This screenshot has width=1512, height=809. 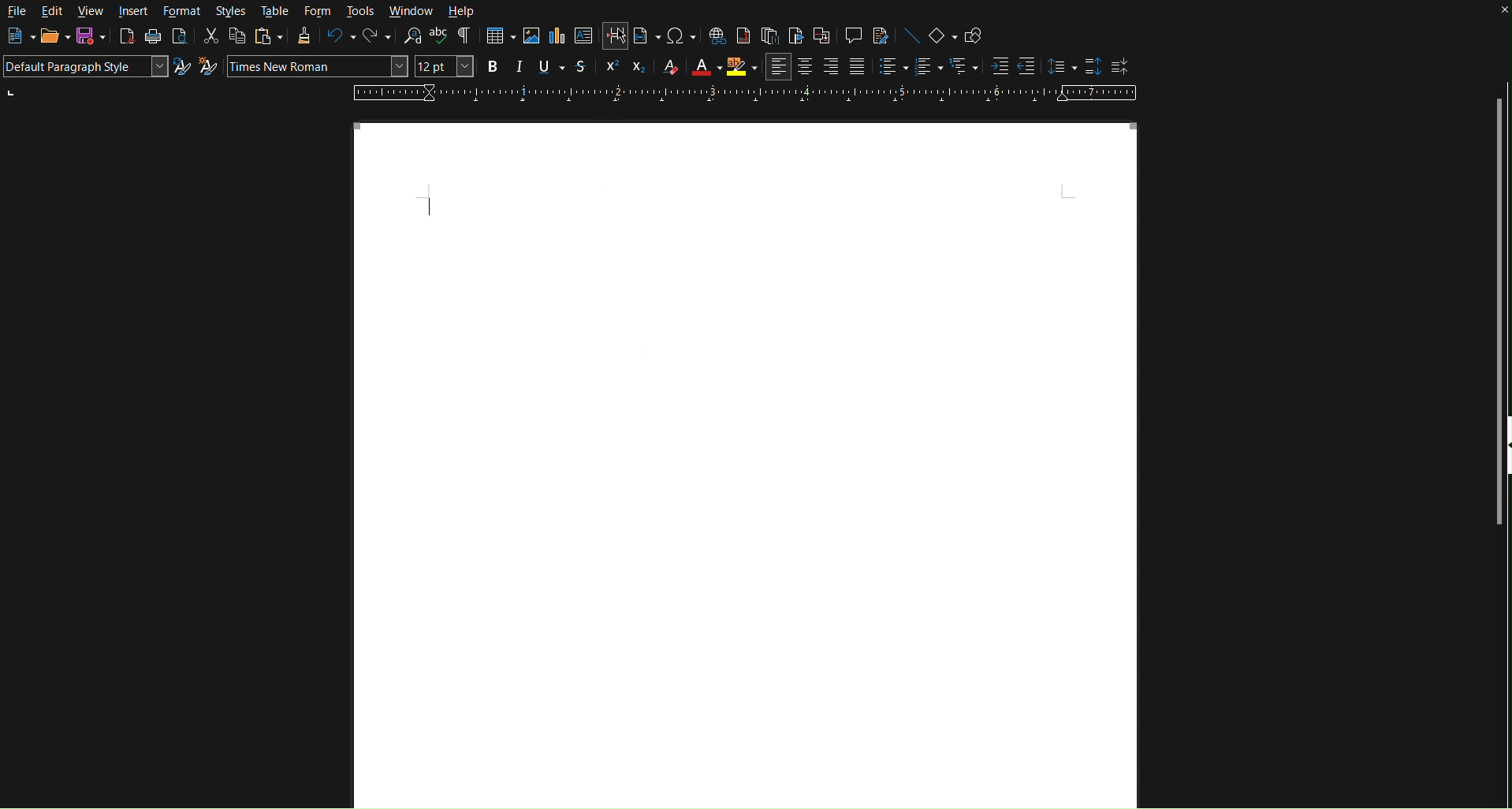 What do you see at coordinates (412, 10) in the screenshot?
I see `Window` at bounding box center [412, 10].